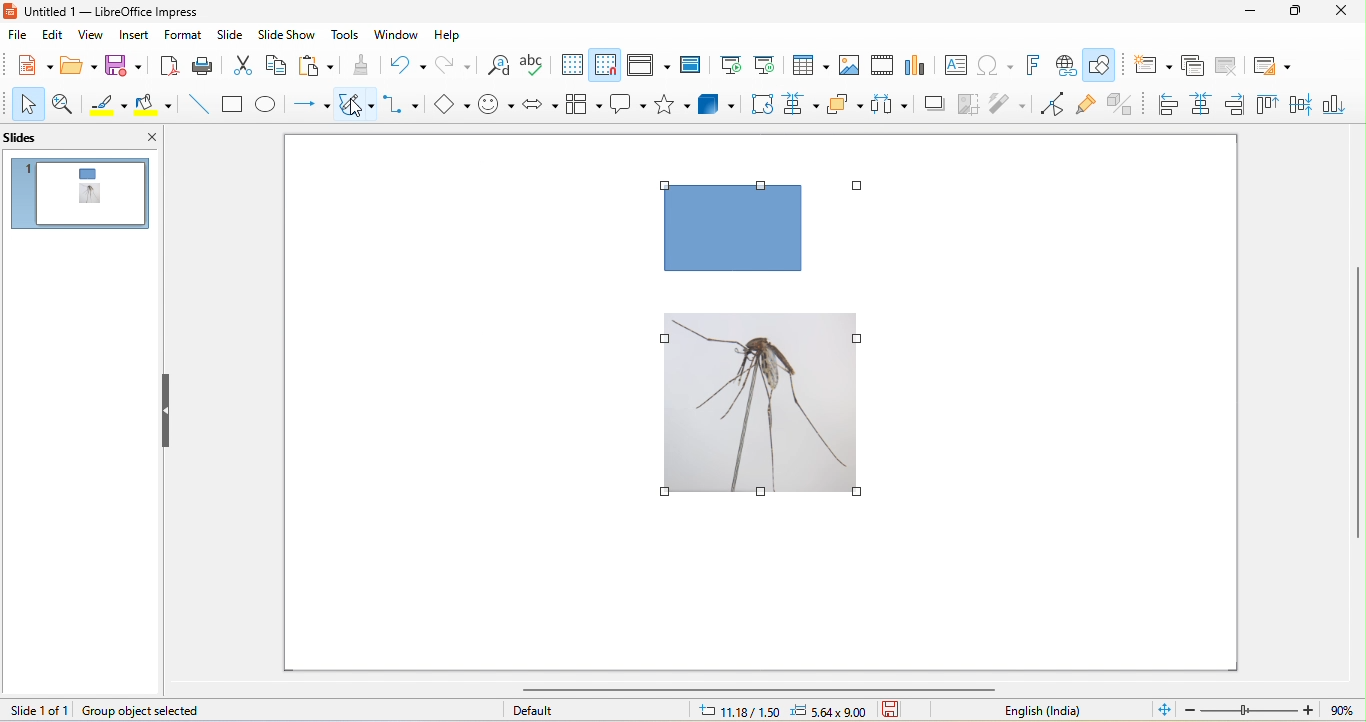 This screenshot has height=722, width=1366. What do you see at coordinates (79, 66) in the screenshot?
I see `open` at bounding box center [79, 66].